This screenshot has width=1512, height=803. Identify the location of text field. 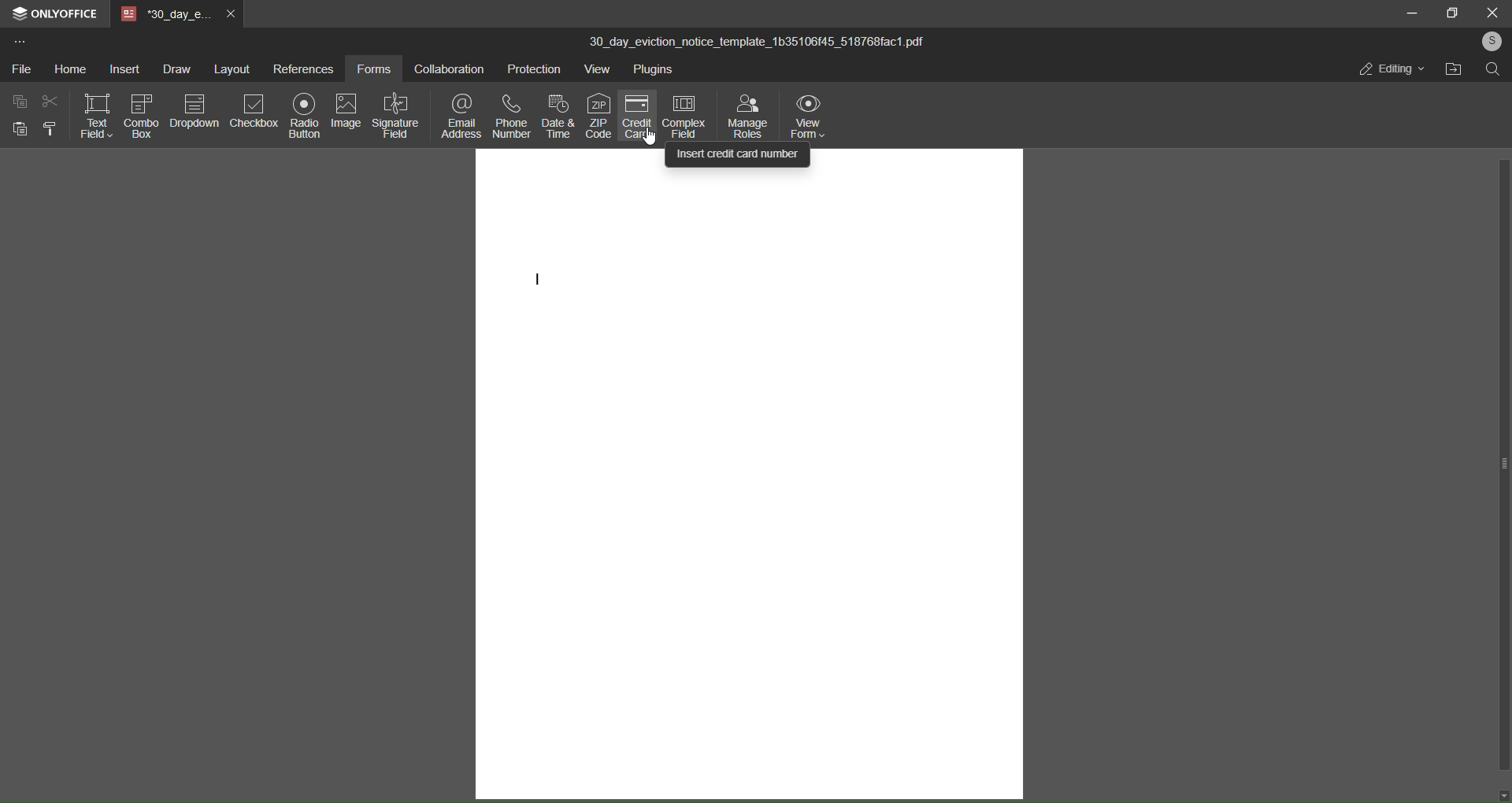
(98, 117).